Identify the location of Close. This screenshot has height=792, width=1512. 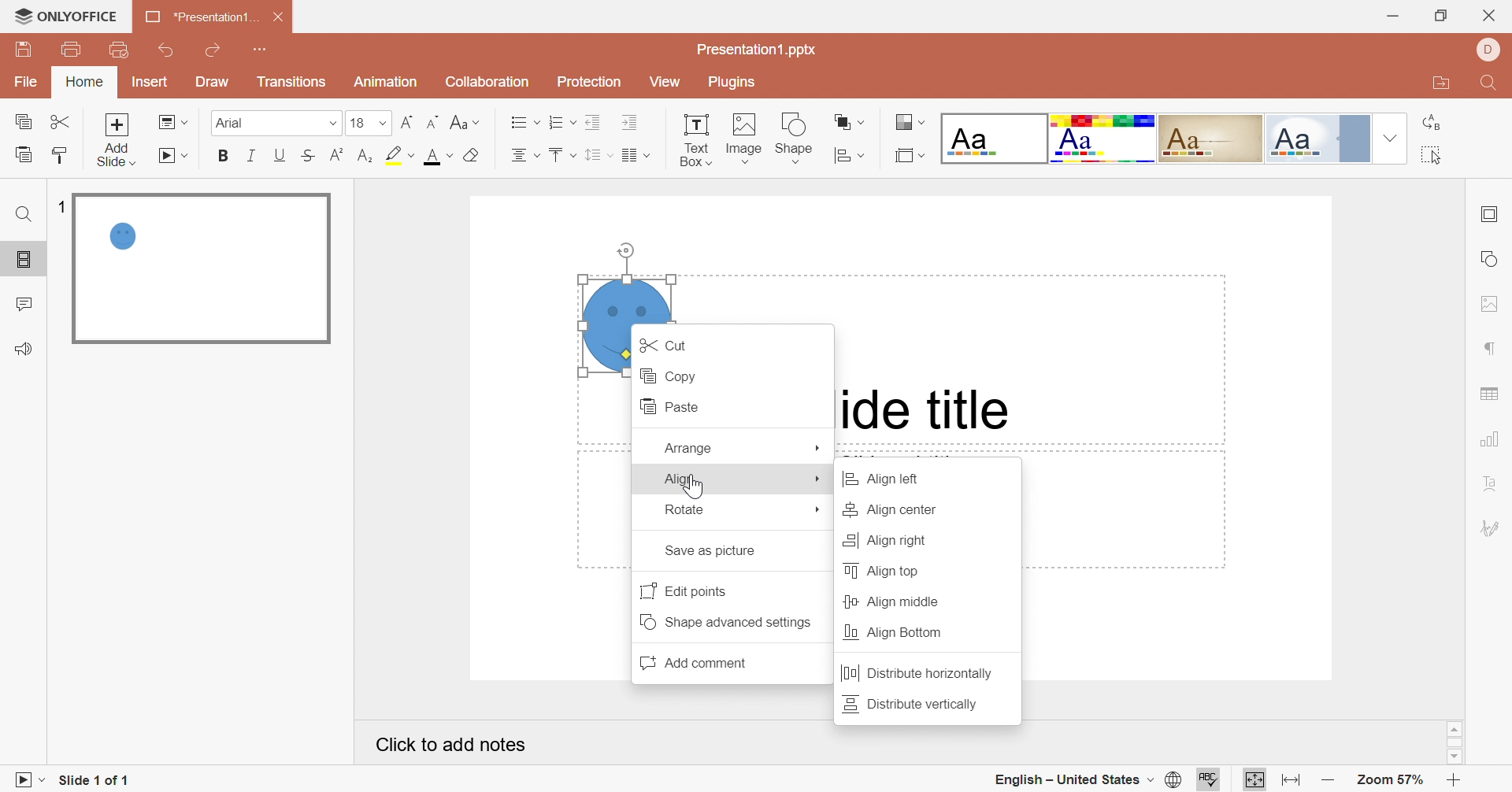
(1491, 15).